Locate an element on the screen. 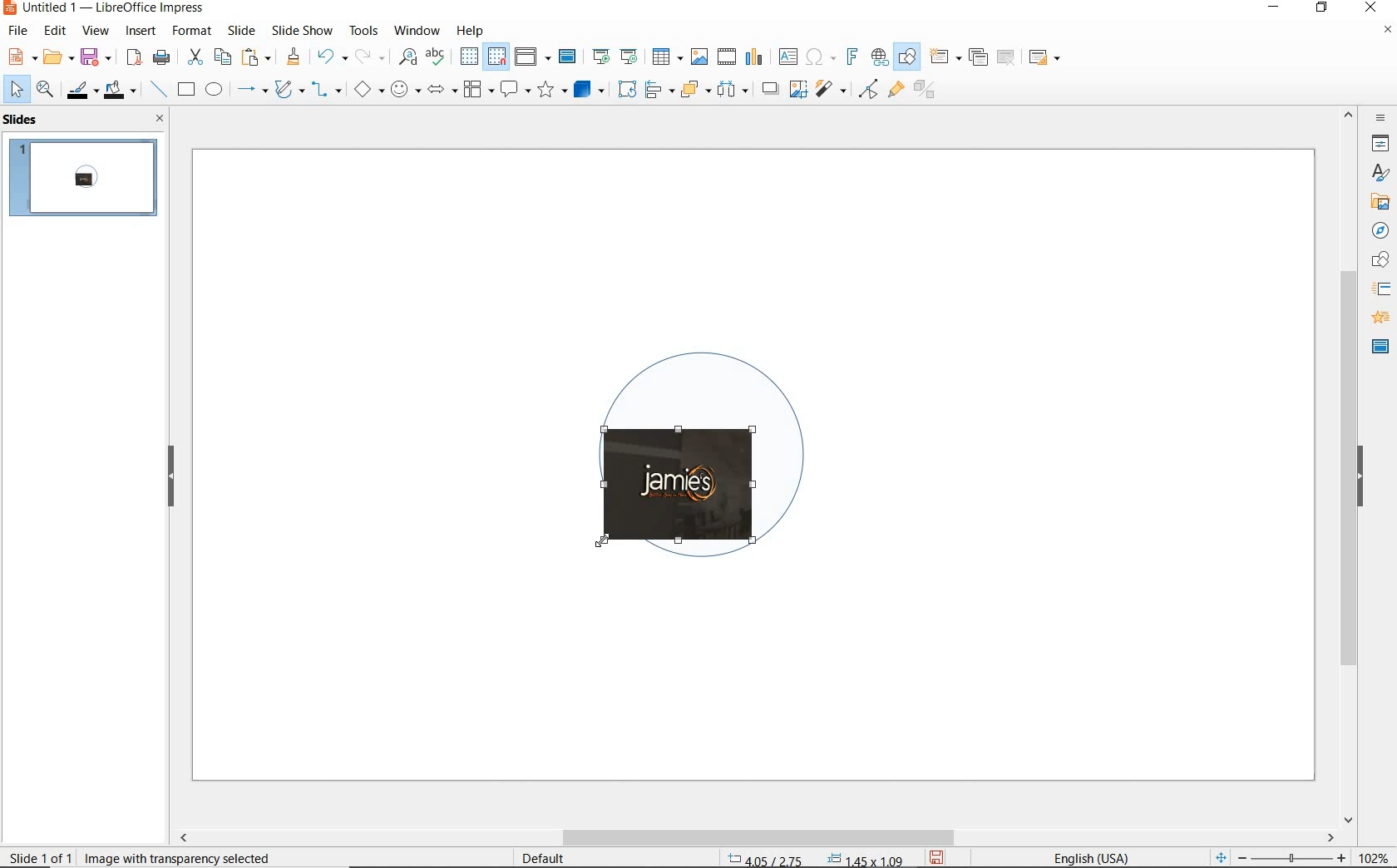 This screenshot has width=1397, height=868. Default is located at coordinates (545, 858).